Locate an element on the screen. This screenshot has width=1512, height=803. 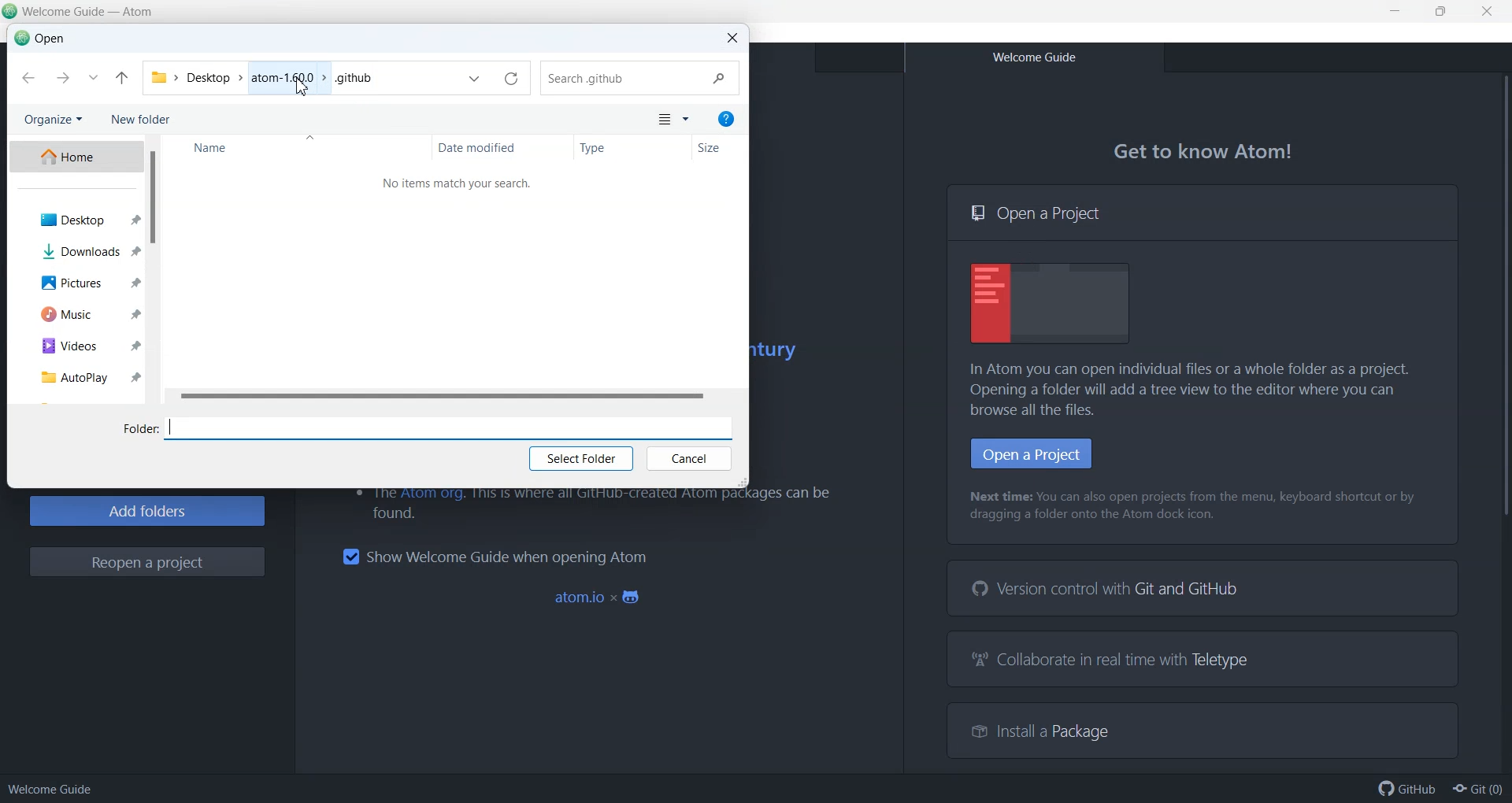
Open is located at coordinates (40, 39).